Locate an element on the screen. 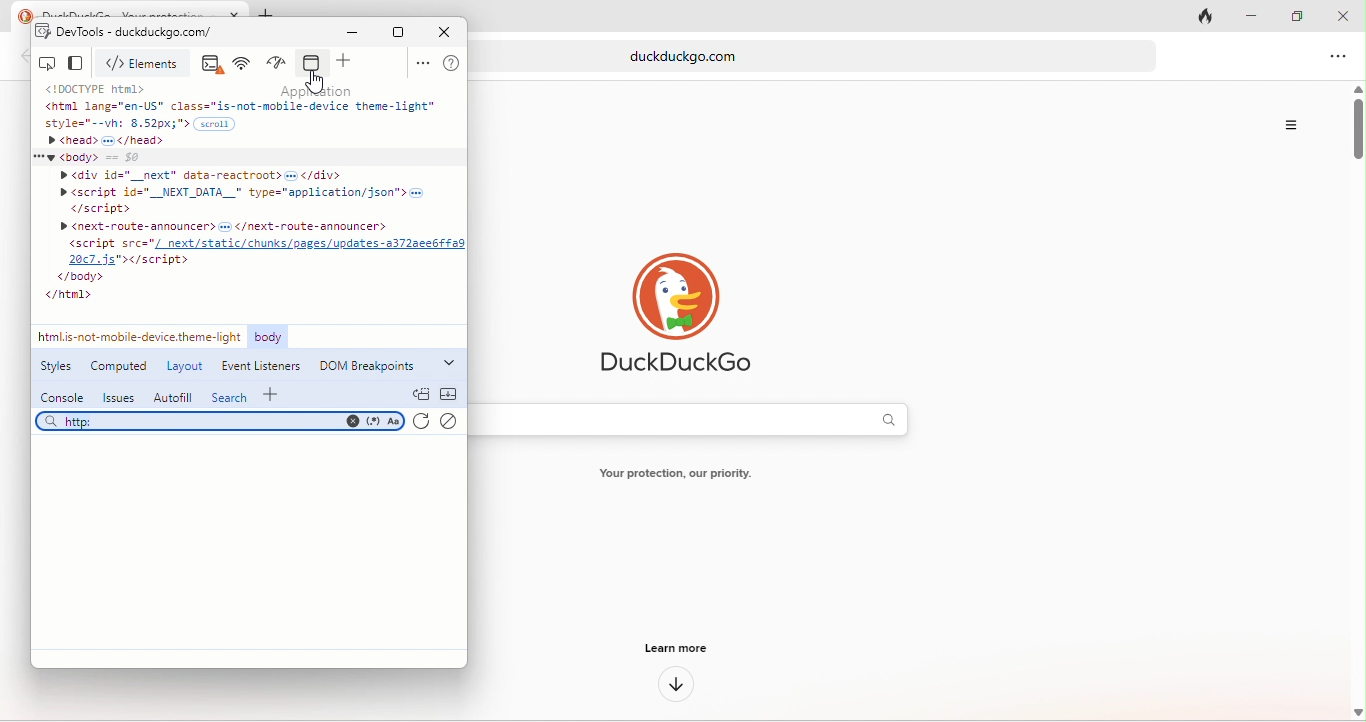 The height and width of the screenshot is (722, 1366). close is located at coordinates (443, 32).